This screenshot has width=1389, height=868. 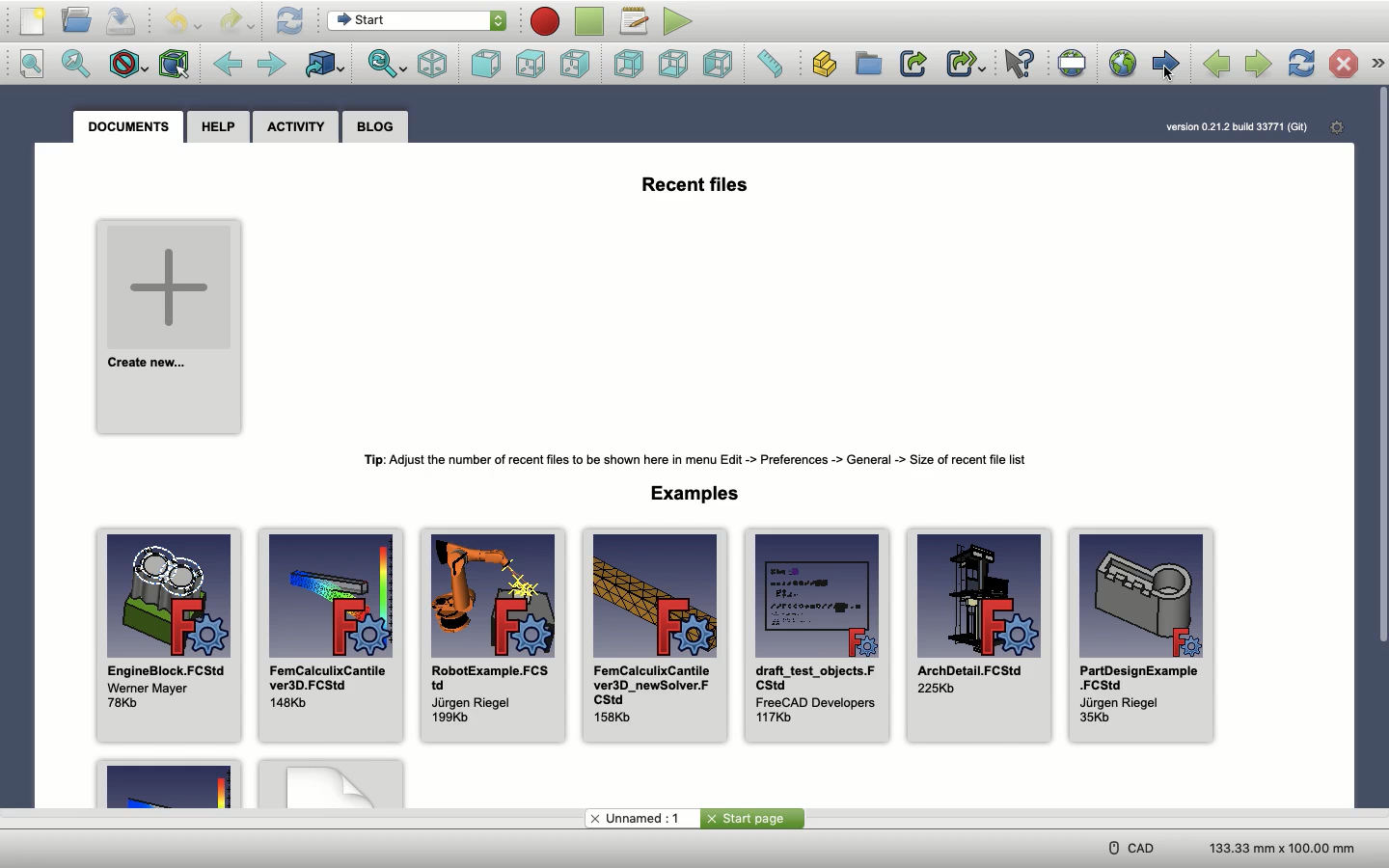 I want to click on Start page project, so click(x=753, y=819).